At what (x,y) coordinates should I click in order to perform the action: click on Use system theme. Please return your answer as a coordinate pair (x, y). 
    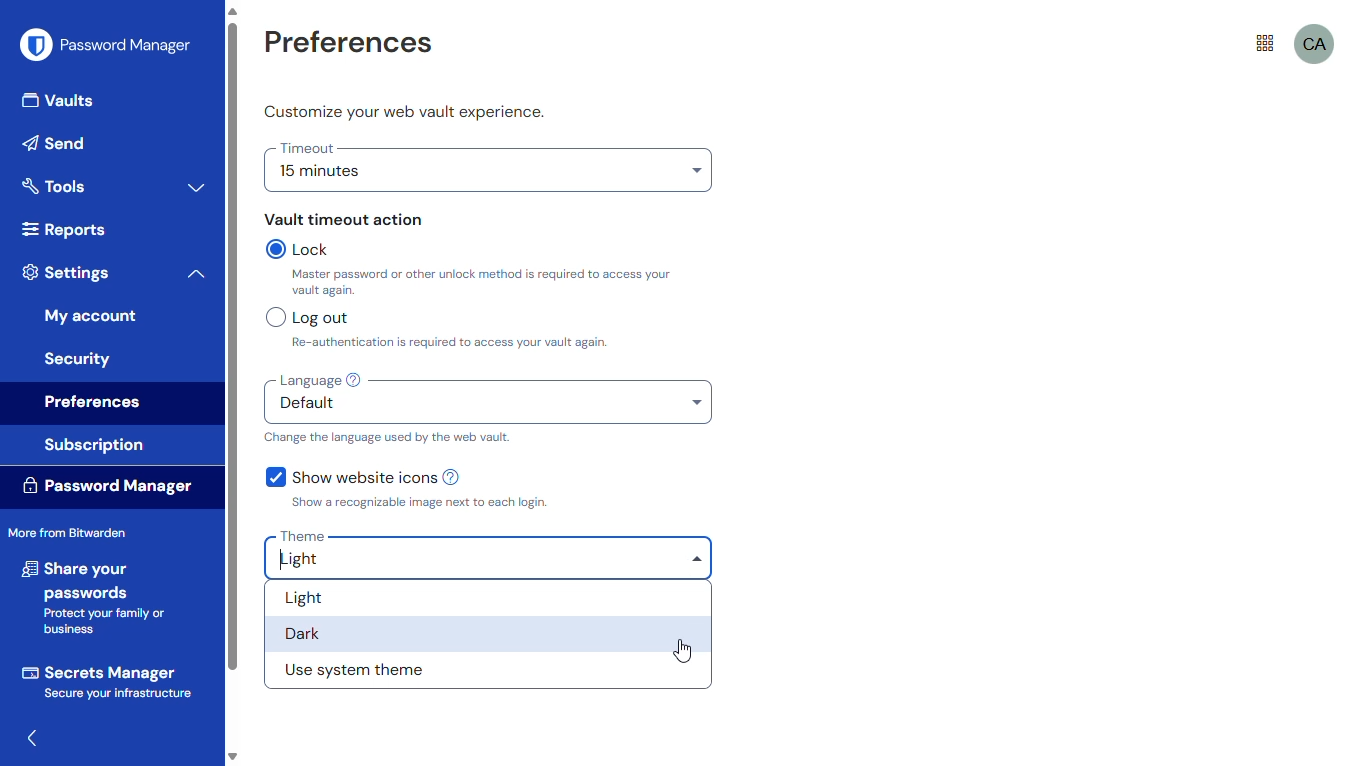
    Looking at the image, I should click on (362, 670).